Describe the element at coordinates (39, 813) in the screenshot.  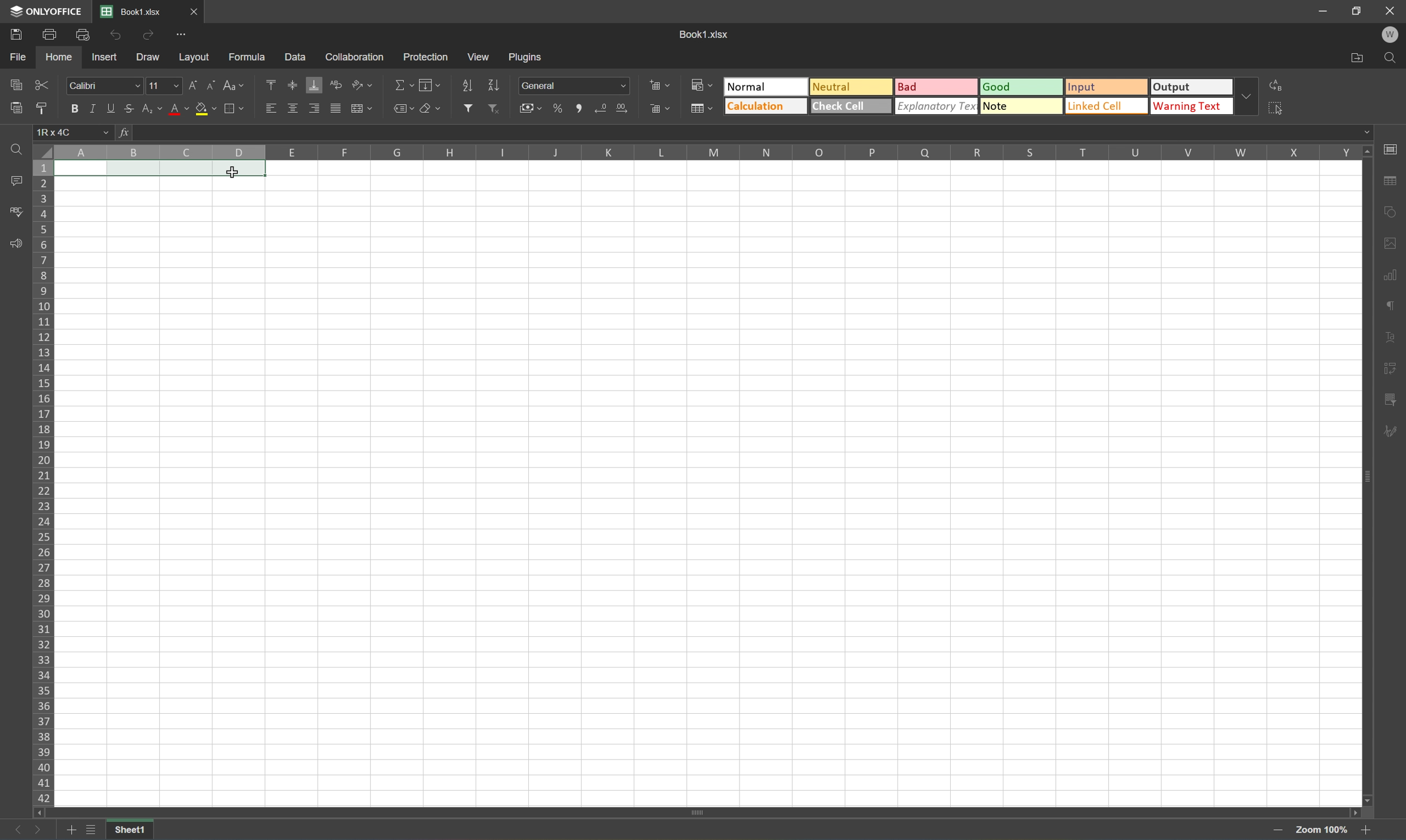
I see `Scroll left` at that location.